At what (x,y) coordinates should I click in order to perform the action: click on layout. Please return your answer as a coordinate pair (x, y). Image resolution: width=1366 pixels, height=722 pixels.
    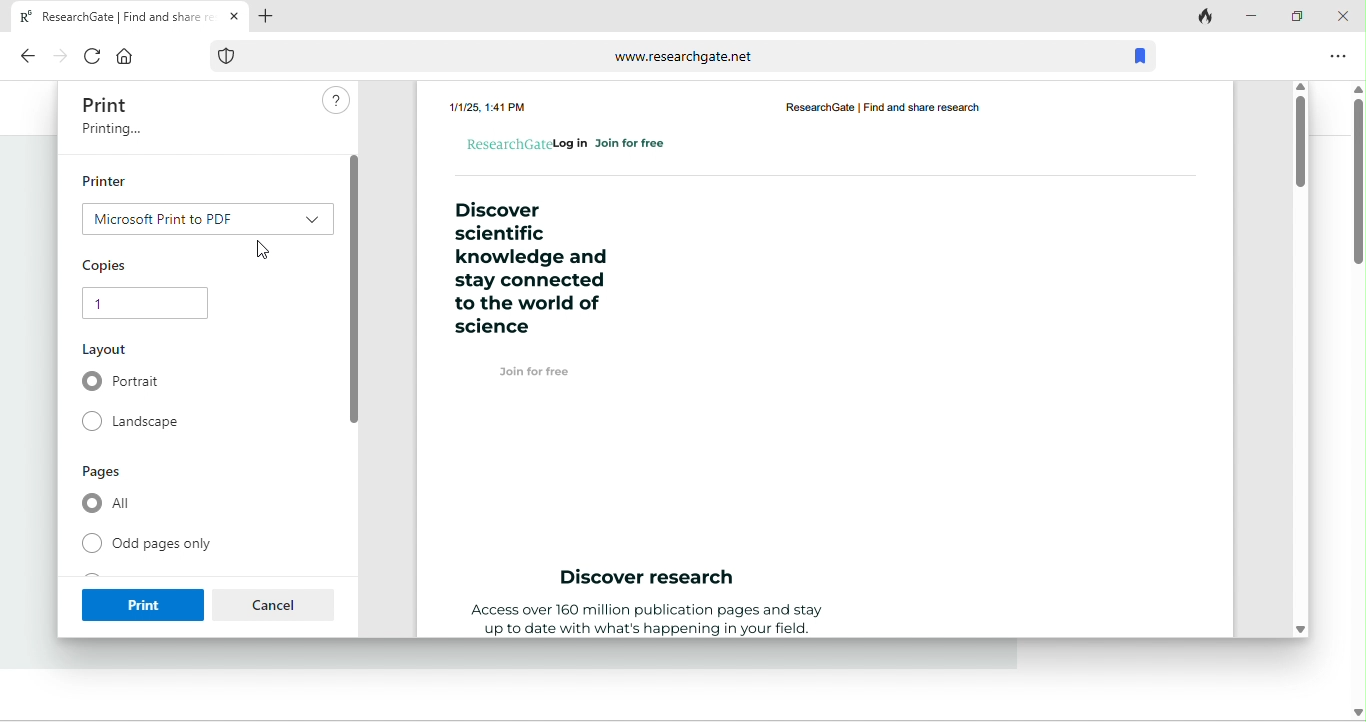
    Looking at the image, I should click on (109, 350).